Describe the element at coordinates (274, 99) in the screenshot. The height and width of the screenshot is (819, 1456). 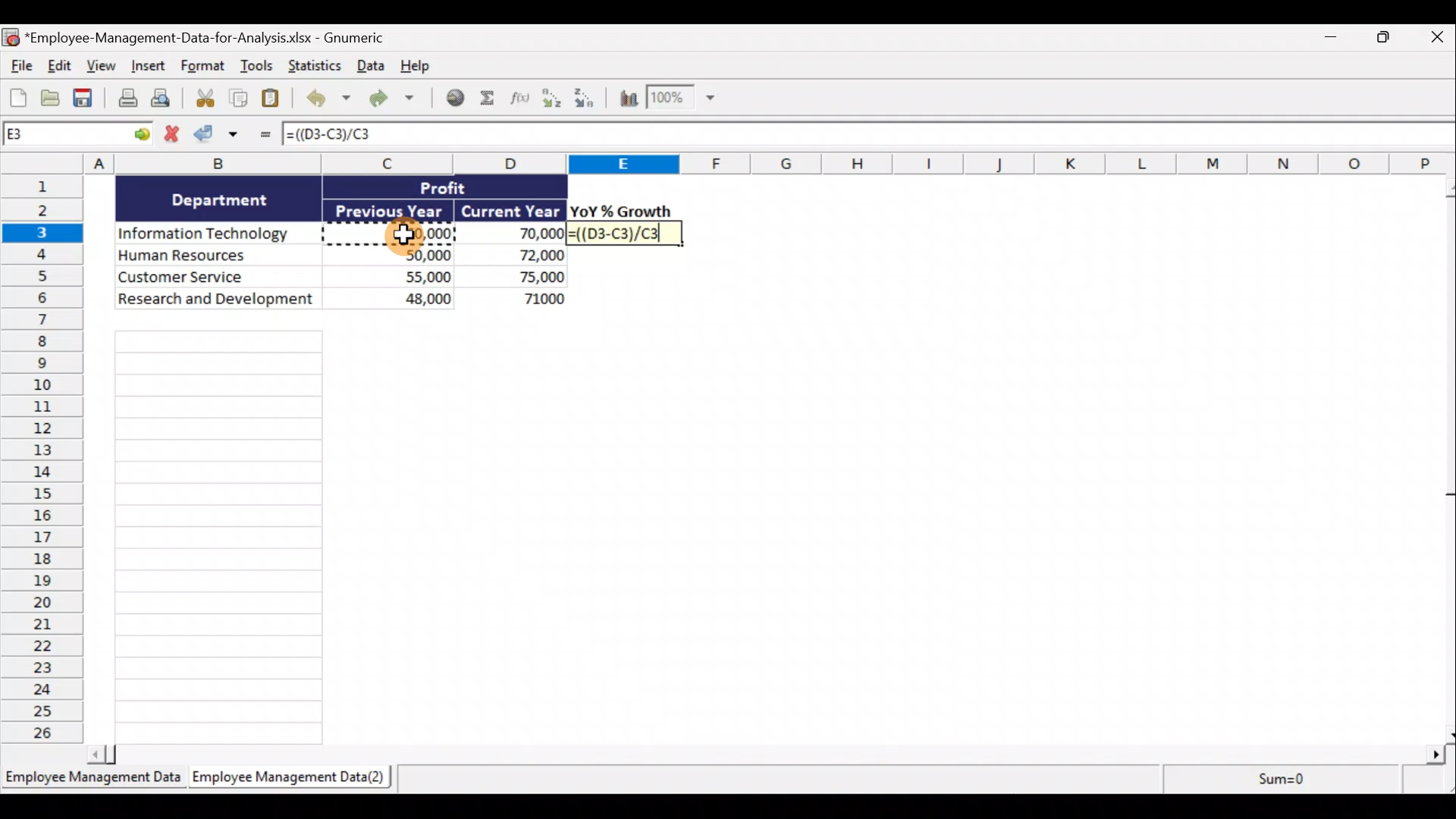
I see `Paste clipboard` at that location.